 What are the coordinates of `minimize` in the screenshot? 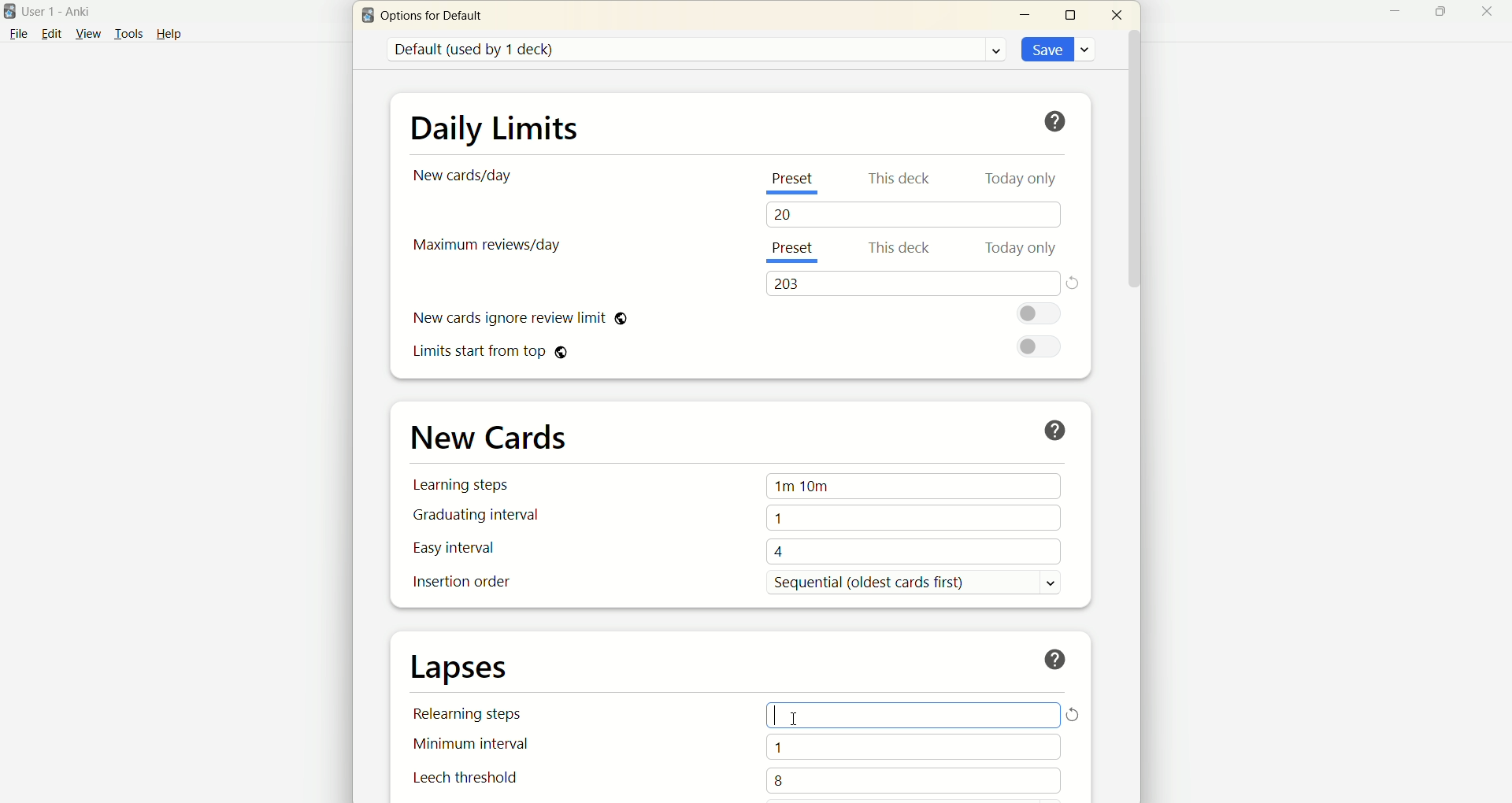 It's located at (1028, 15).